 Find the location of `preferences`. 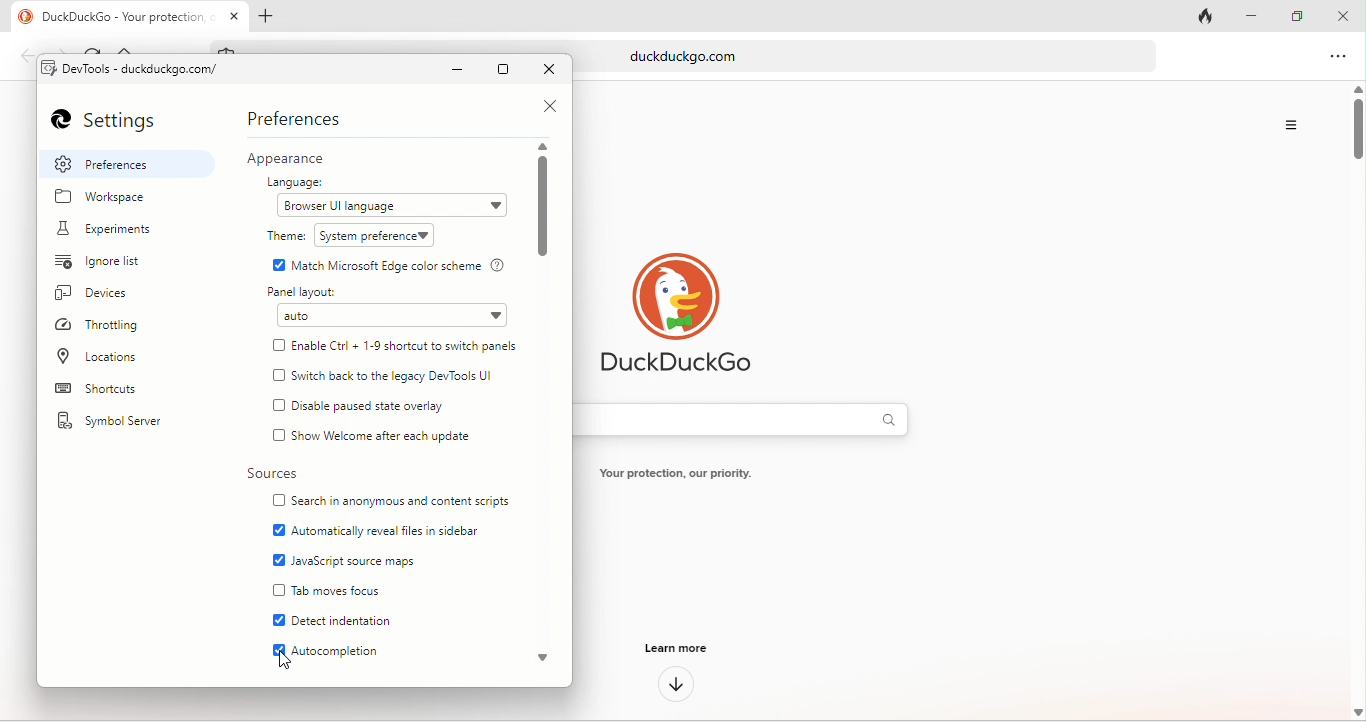

preferences is located at coordinates (300, 118).